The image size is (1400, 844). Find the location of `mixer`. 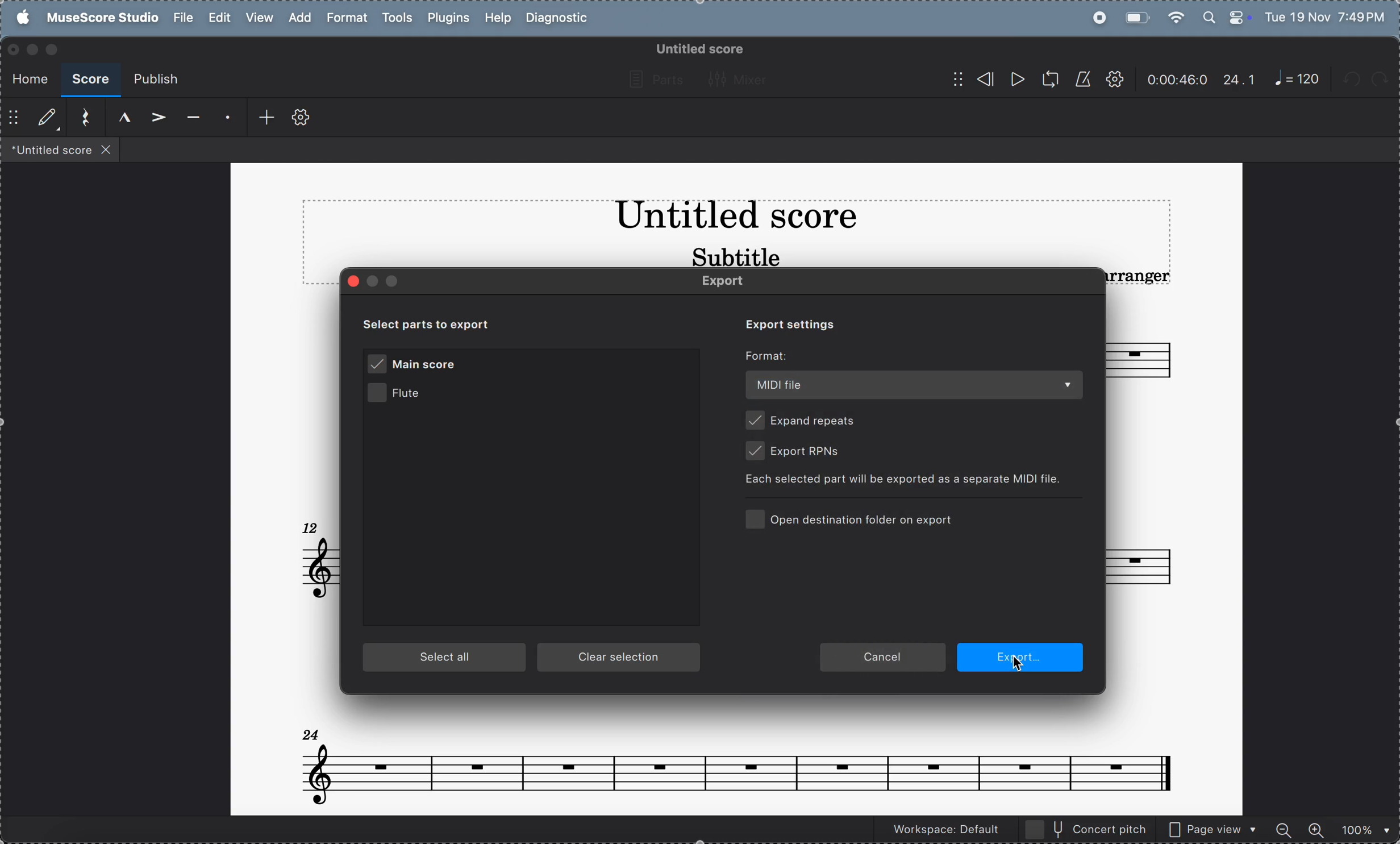

mixer is located at coordinates (741, 79).